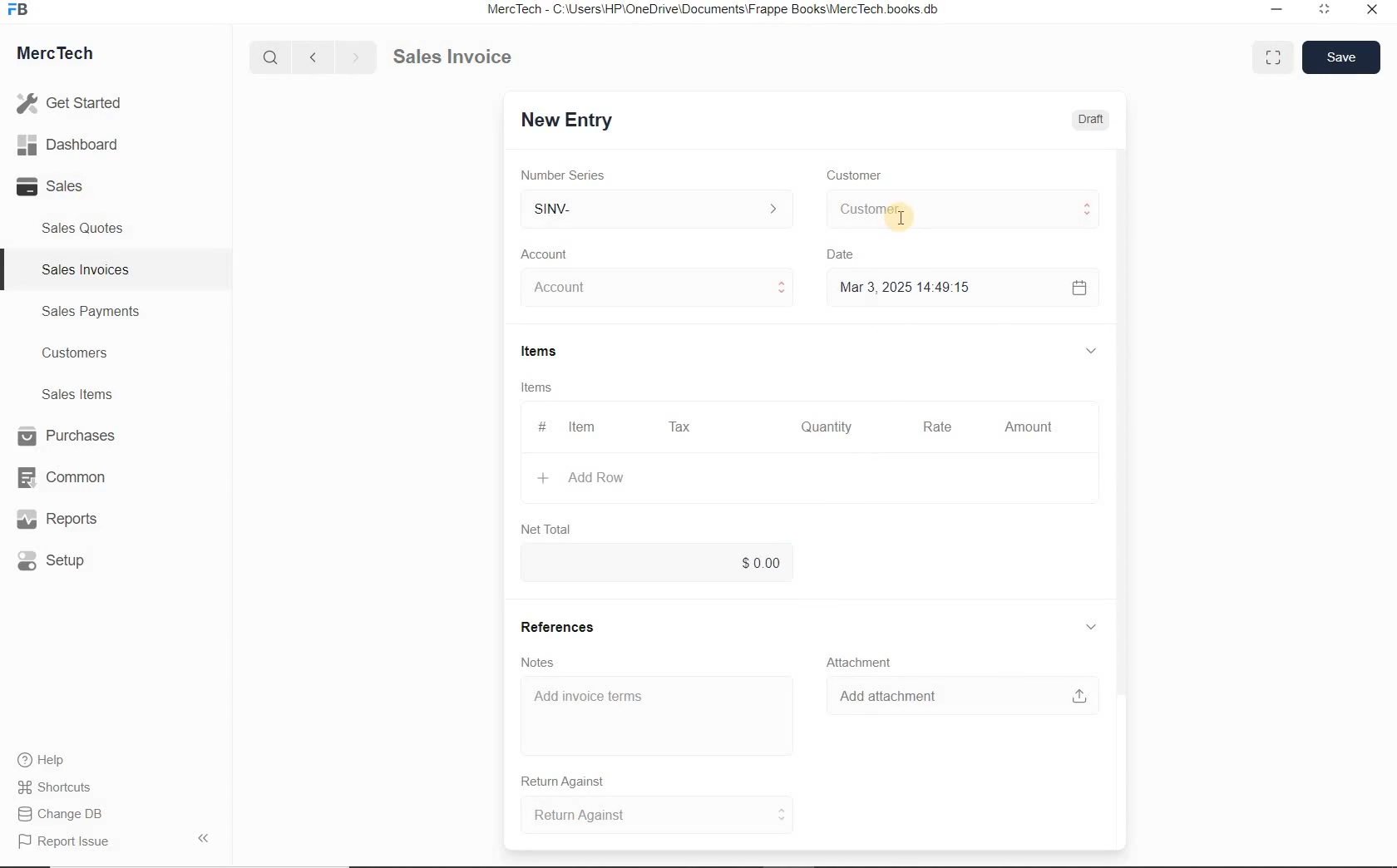 This screenshot has height=868, width=1397. Describe the element at coordinates (90, 353) in the screenshot. I see `Customers` at that location.